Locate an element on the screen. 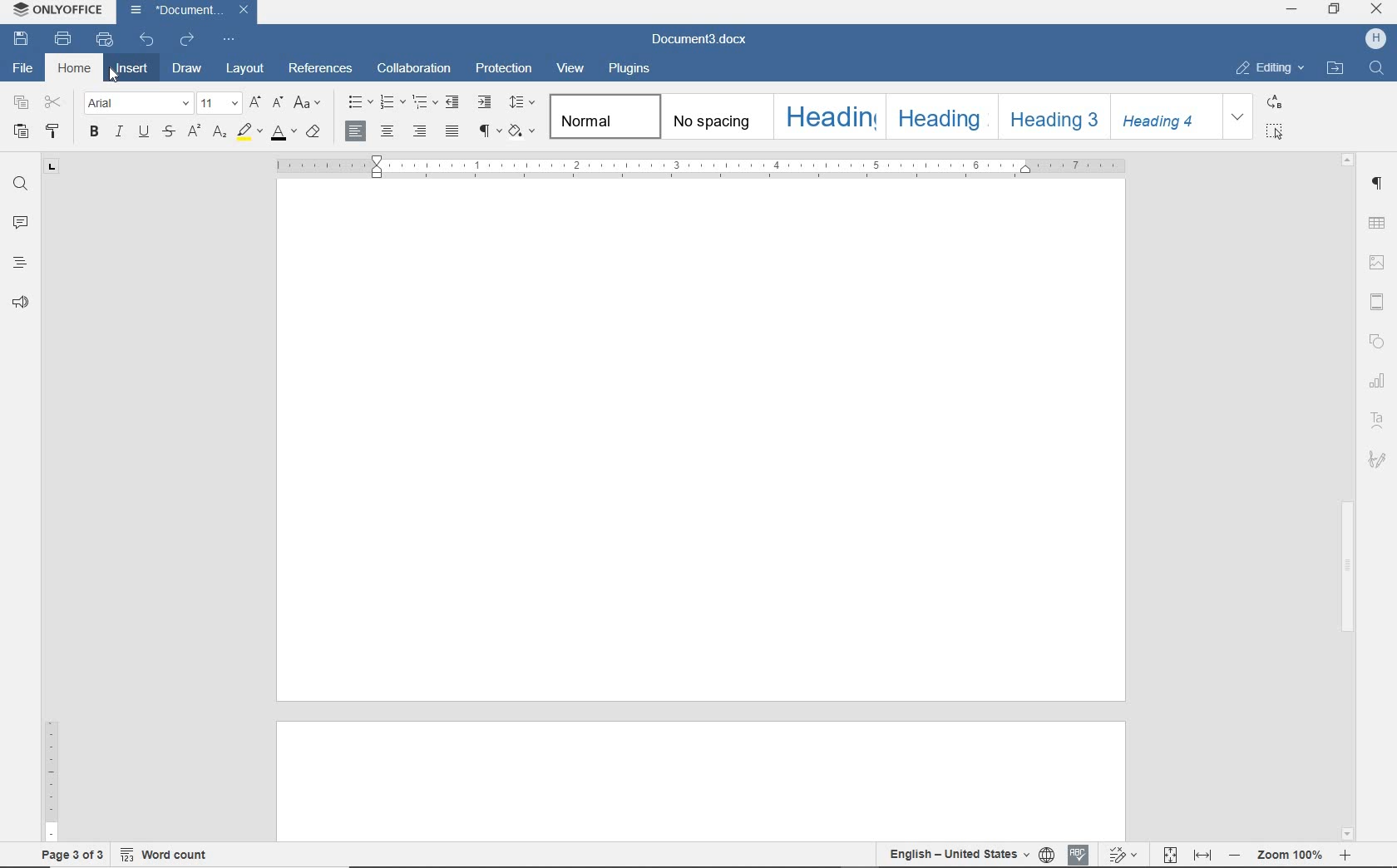 This screenshot has height=868, width=1397. FONT  is located at coordinates (138, 102).